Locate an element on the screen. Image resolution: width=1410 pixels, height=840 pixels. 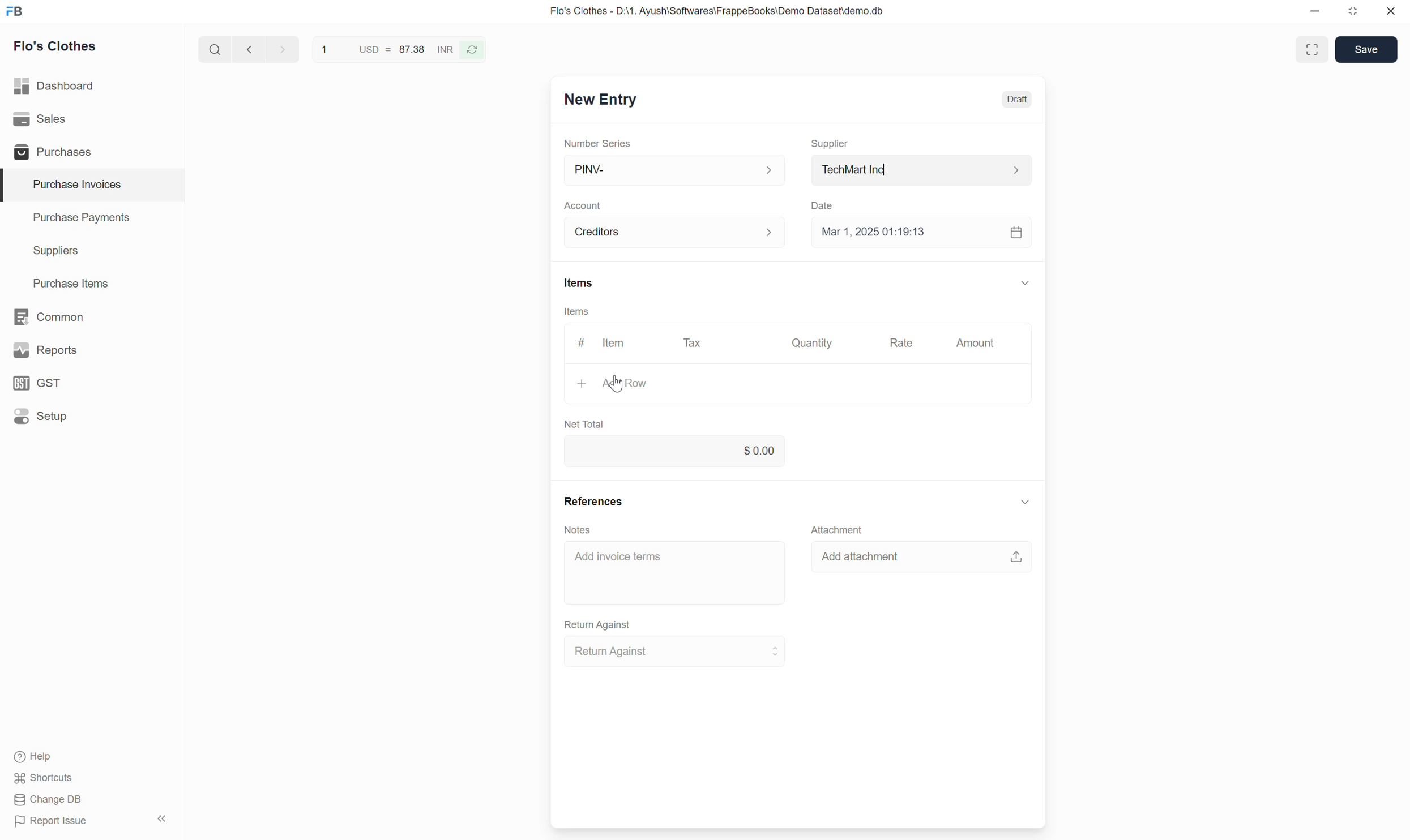
Return Against is located at coordinates (677, 651).